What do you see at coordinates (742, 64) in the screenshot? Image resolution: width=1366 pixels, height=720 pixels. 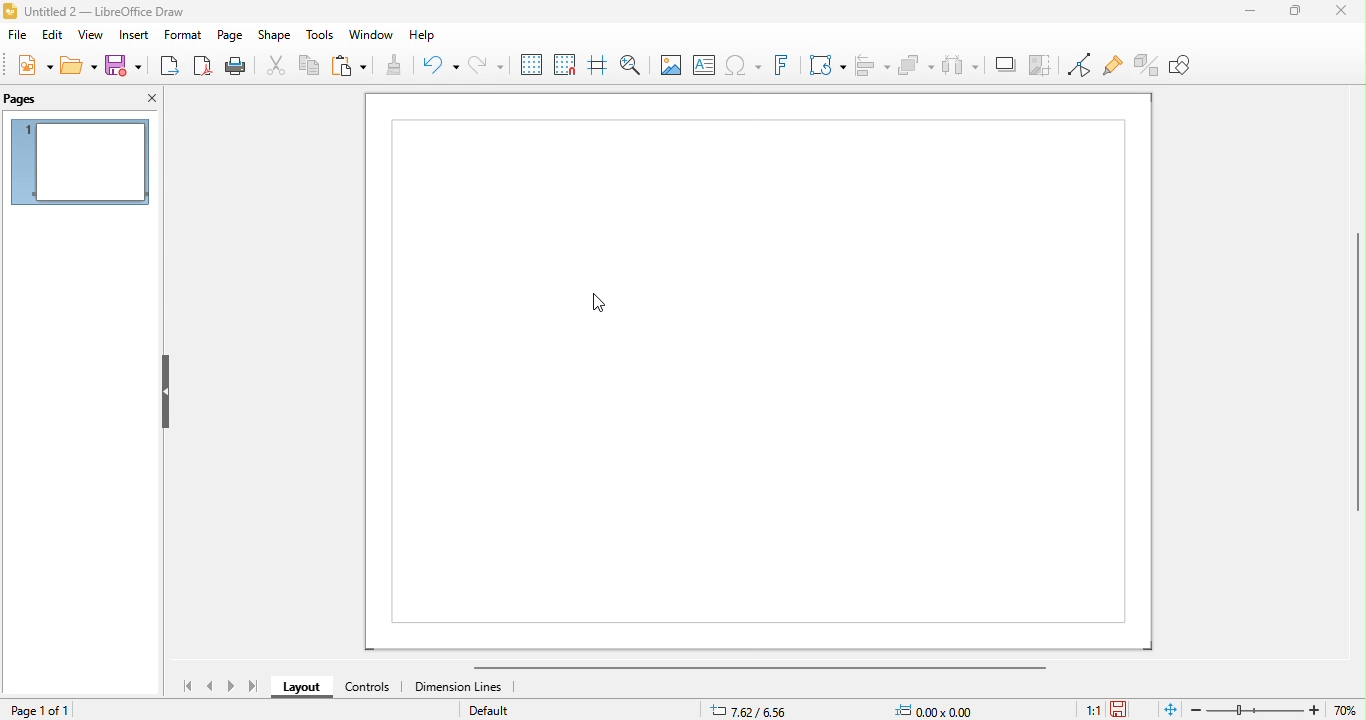 I see `special characters` at bounding box center [742, 64].